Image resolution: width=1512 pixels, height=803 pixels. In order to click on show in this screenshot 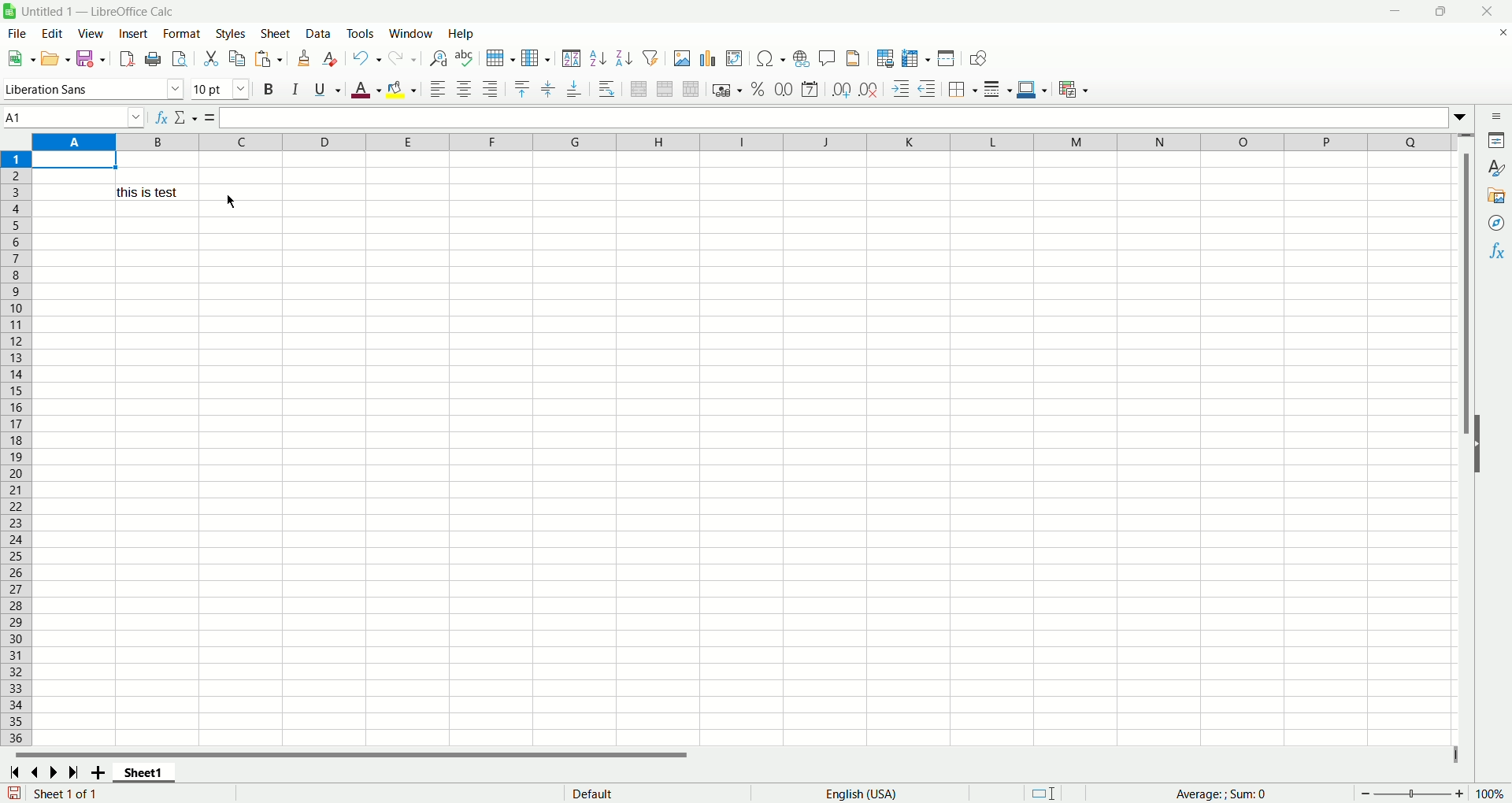, I will do `click(1480, 443)`.